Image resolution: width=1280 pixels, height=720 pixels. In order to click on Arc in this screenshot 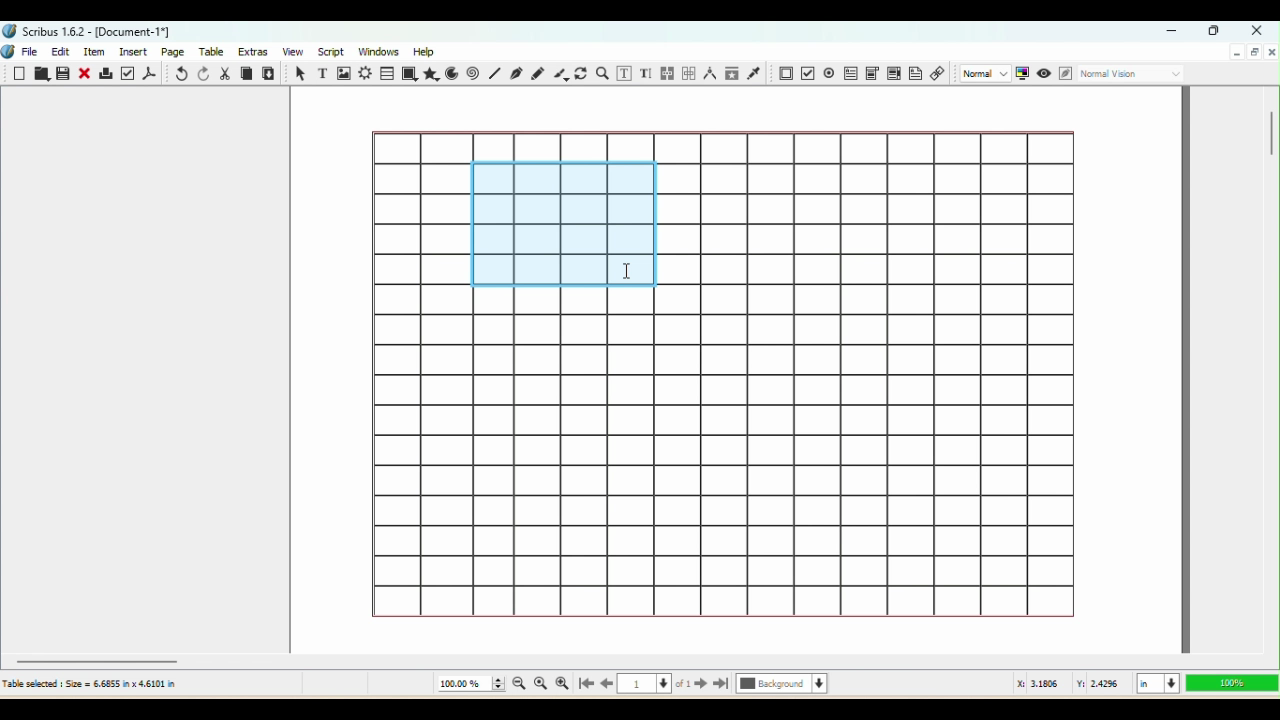, I will do `click(454, 73)`.